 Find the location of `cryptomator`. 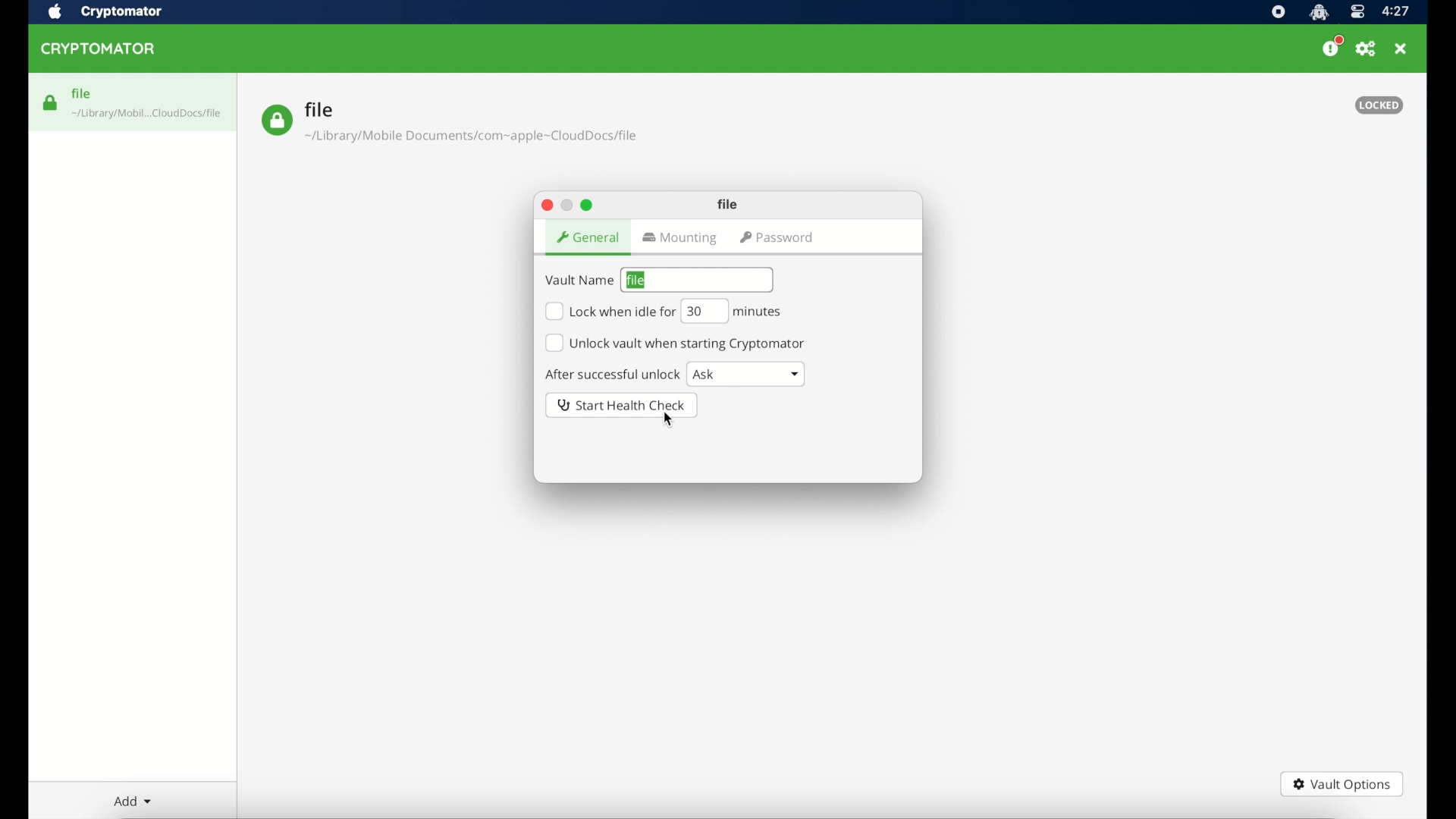

cryptomator is located at coordinates (122, 11).